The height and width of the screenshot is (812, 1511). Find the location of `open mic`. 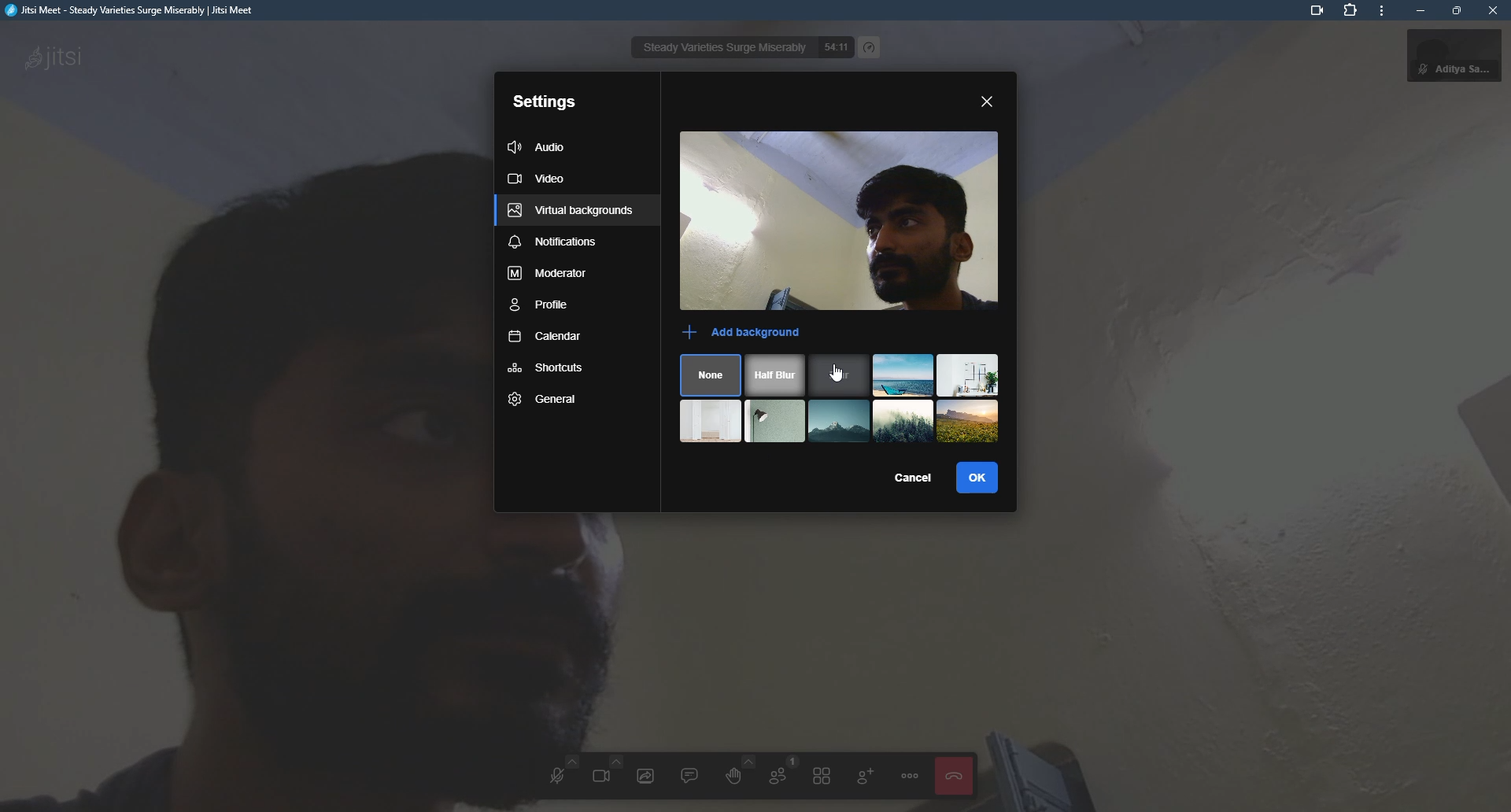

open mic is located at coordinates (557, 775).